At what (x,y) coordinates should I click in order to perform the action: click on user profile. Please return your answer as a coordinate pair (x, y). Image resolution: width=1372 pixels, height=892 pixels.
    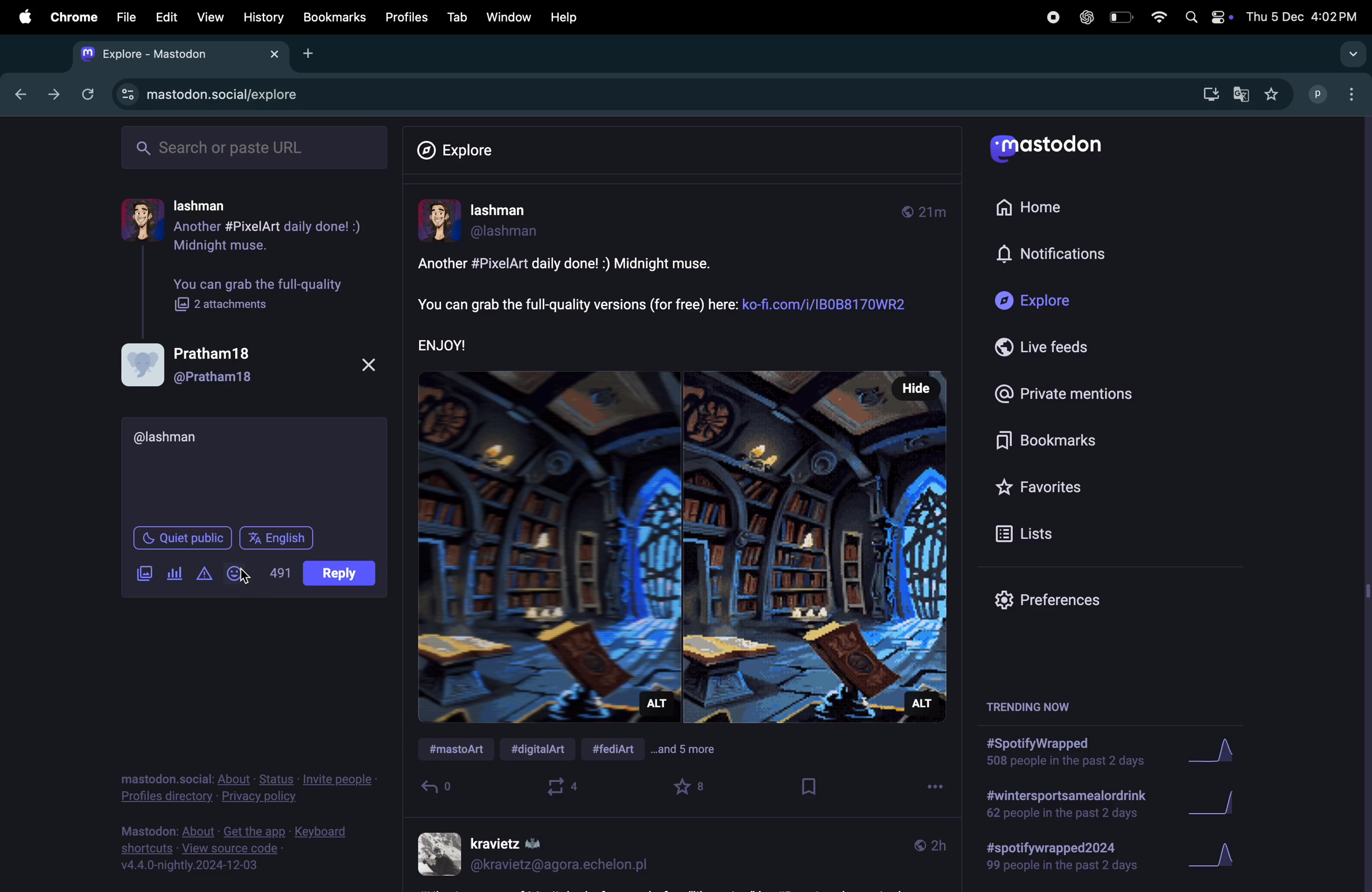
    Looking at the image, I should click on (536, 855).